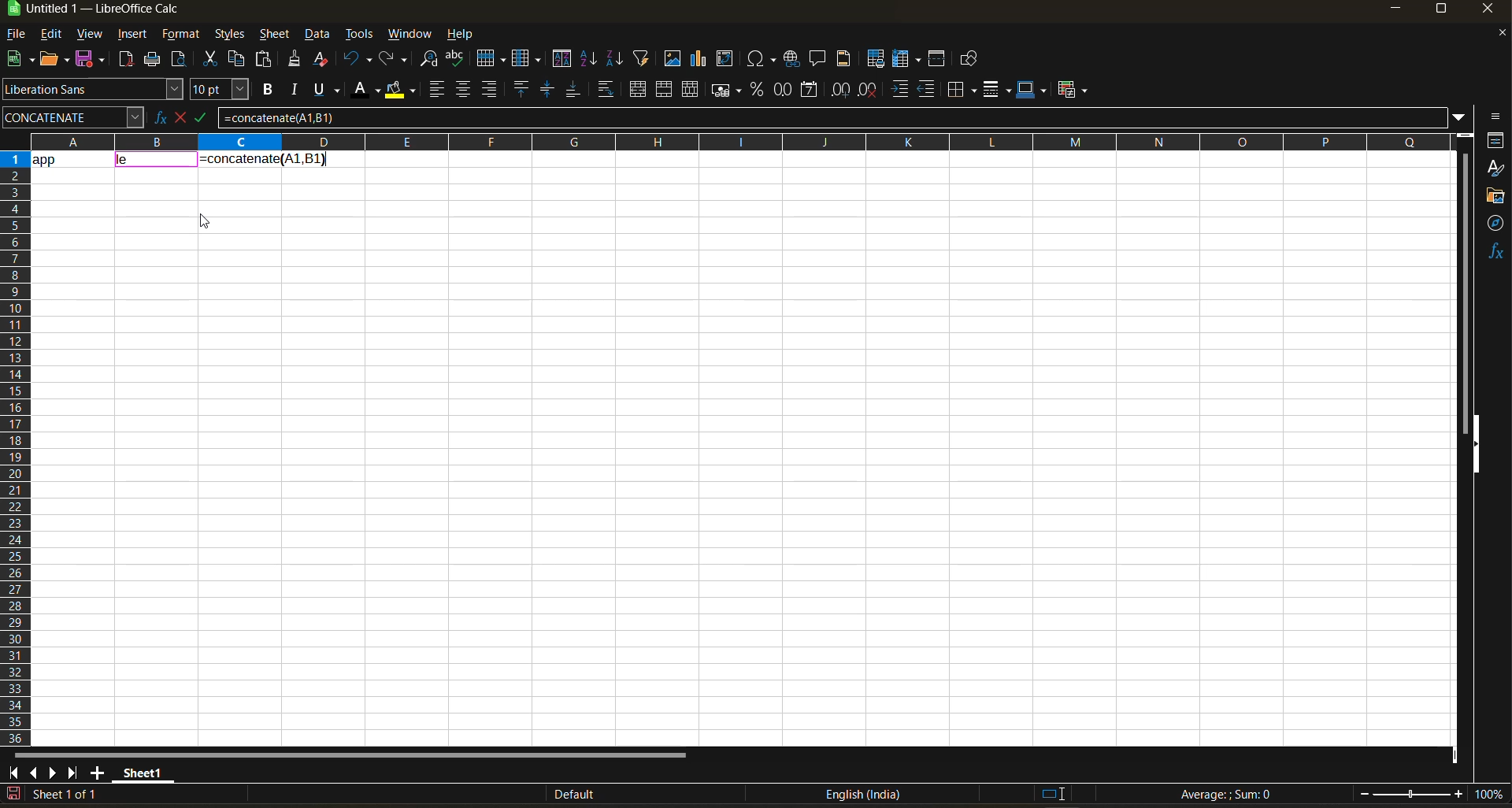 This screenshot has height=808, width=1512. What do you see at coordinates (731, 90) in the screenshot?
I see `format as currency` at bounding box center [731, 90].